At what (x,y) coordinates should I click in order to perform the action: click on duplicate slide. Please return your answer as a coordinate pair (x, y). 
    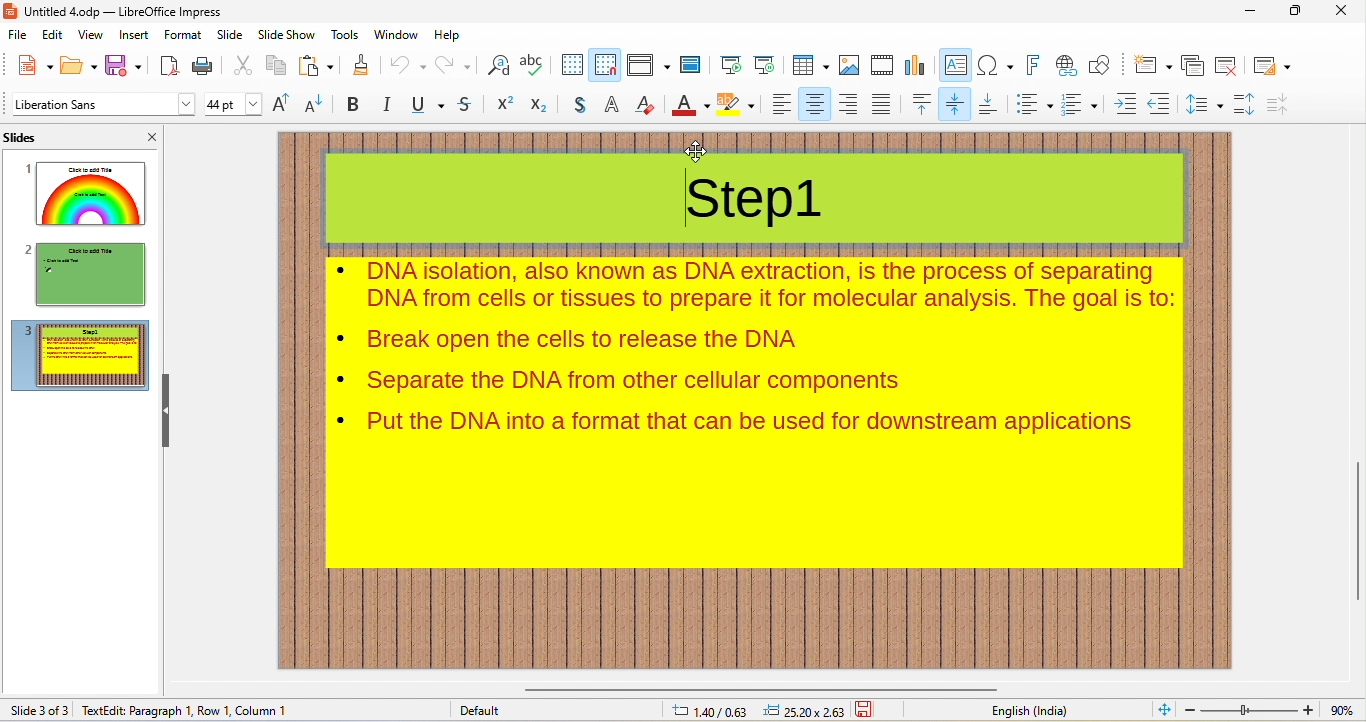
    Looking at the image, I should click on (1194, 67).